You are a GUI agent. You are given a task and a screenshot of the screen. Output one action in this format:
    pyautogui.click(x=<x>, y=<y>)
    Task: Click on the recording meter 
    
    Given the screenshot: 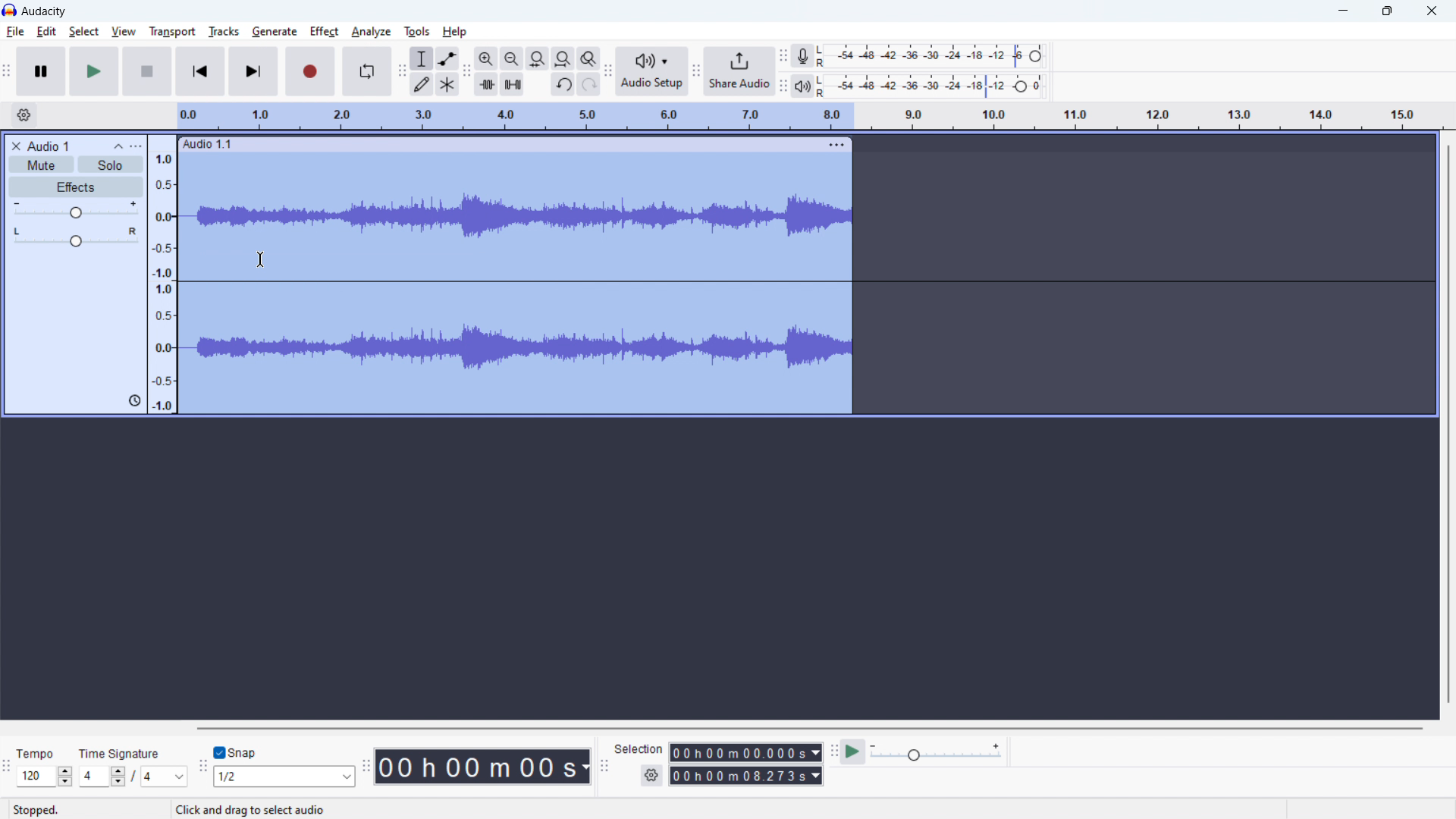 What is the action you would take?
    pyautogui.click(x=803, y=55)
    